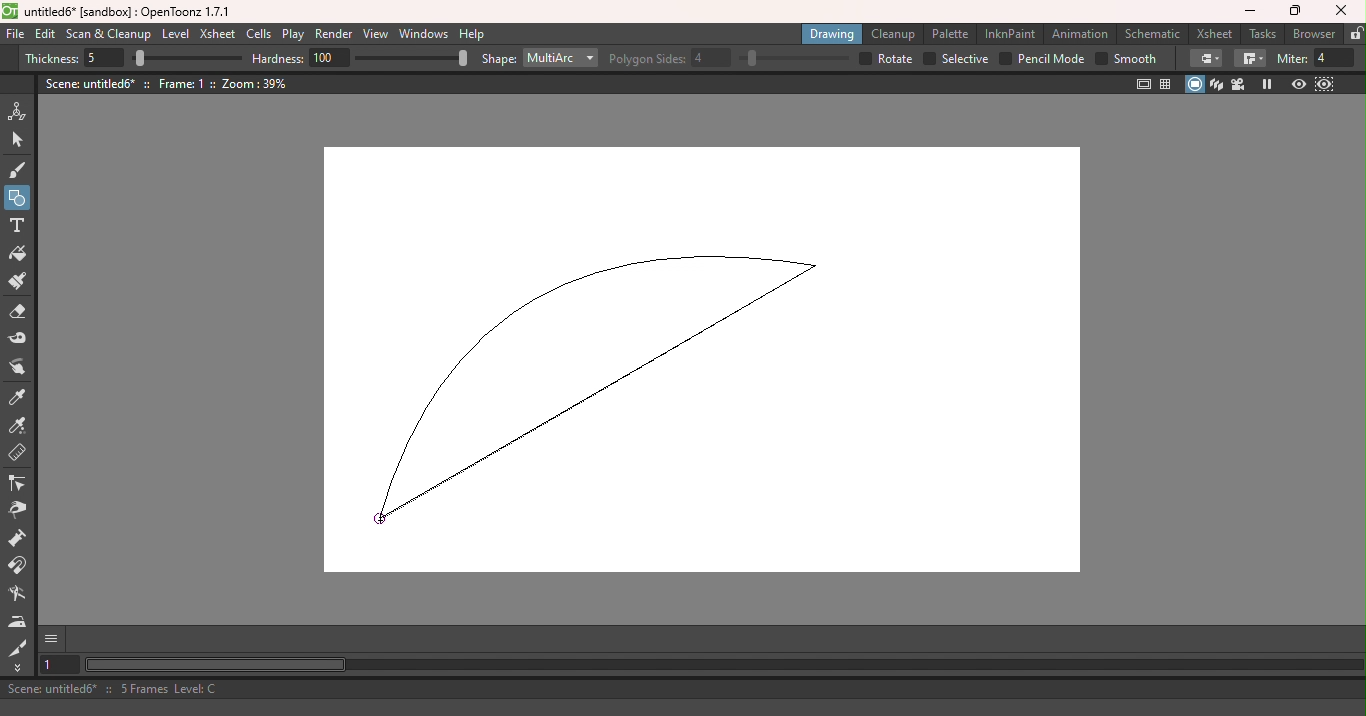 Image resolution: width=1366 pixels, height=716 pixels. Describe the element at coordinates (424, 34) in the screenshot. I see `Windows` at that location.